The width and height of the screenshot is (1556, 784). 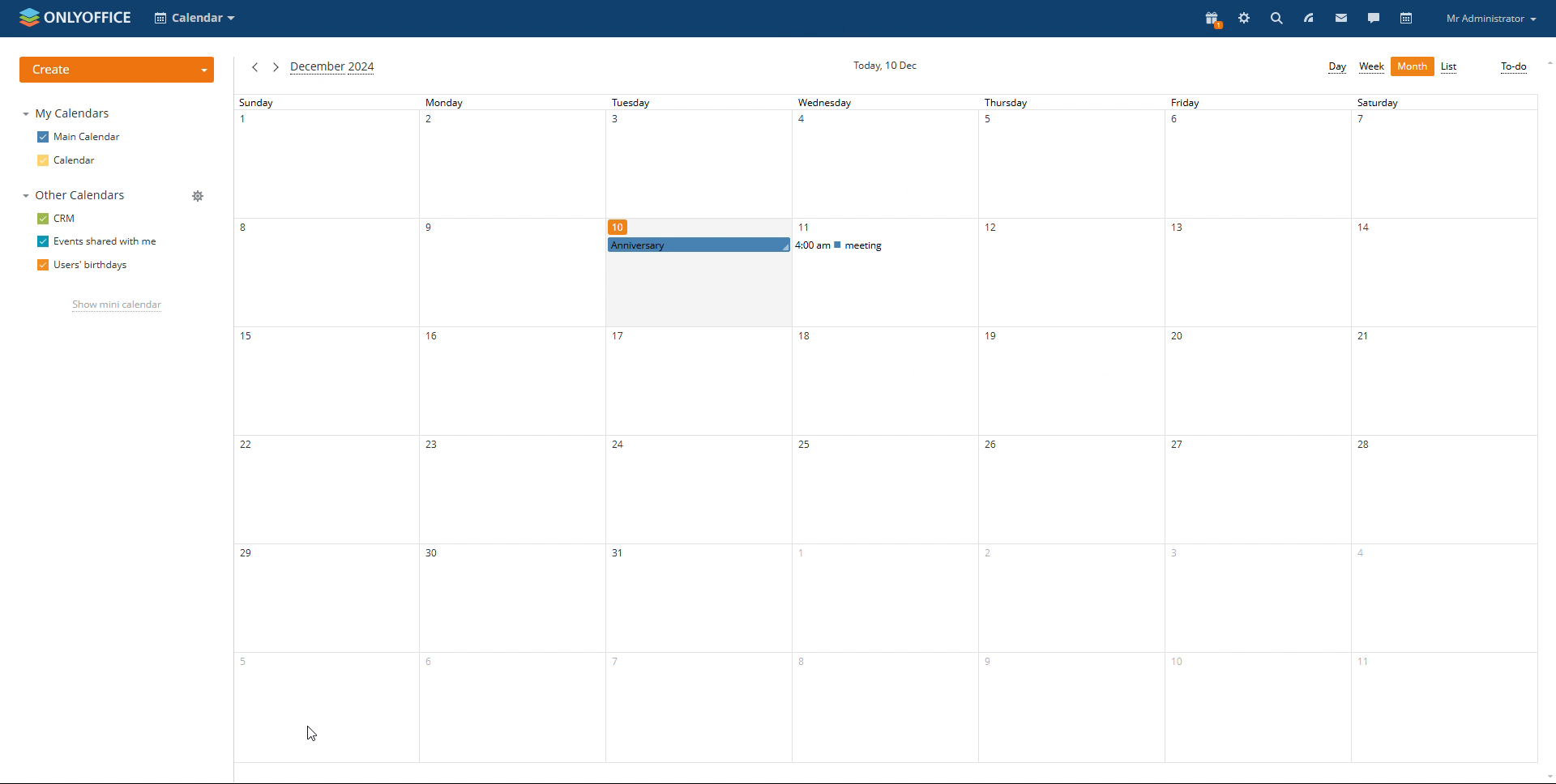 What do you see at coordinates (885, 66) in the screenshot?
I see `current date` at bounding box center [885, 66].